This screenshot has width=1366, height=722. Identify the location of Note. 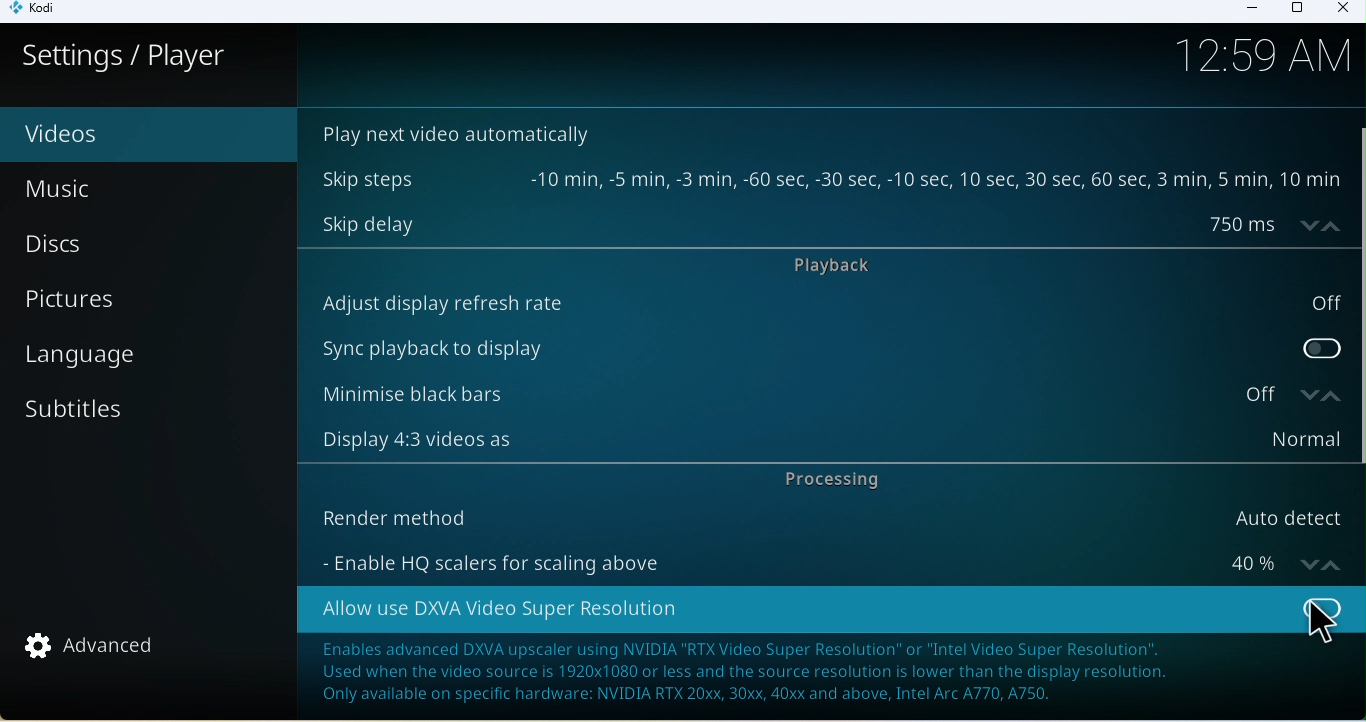
(831, 673).